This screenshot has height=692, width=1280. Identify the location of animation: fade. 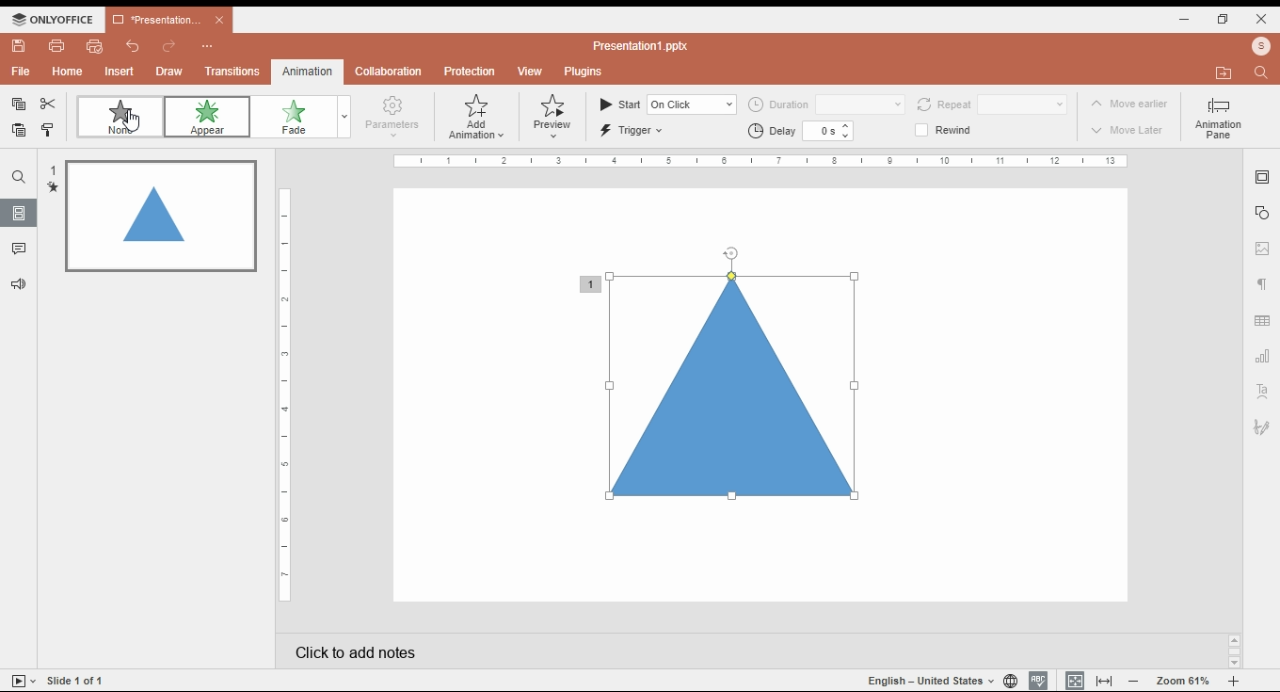
(307, 117).